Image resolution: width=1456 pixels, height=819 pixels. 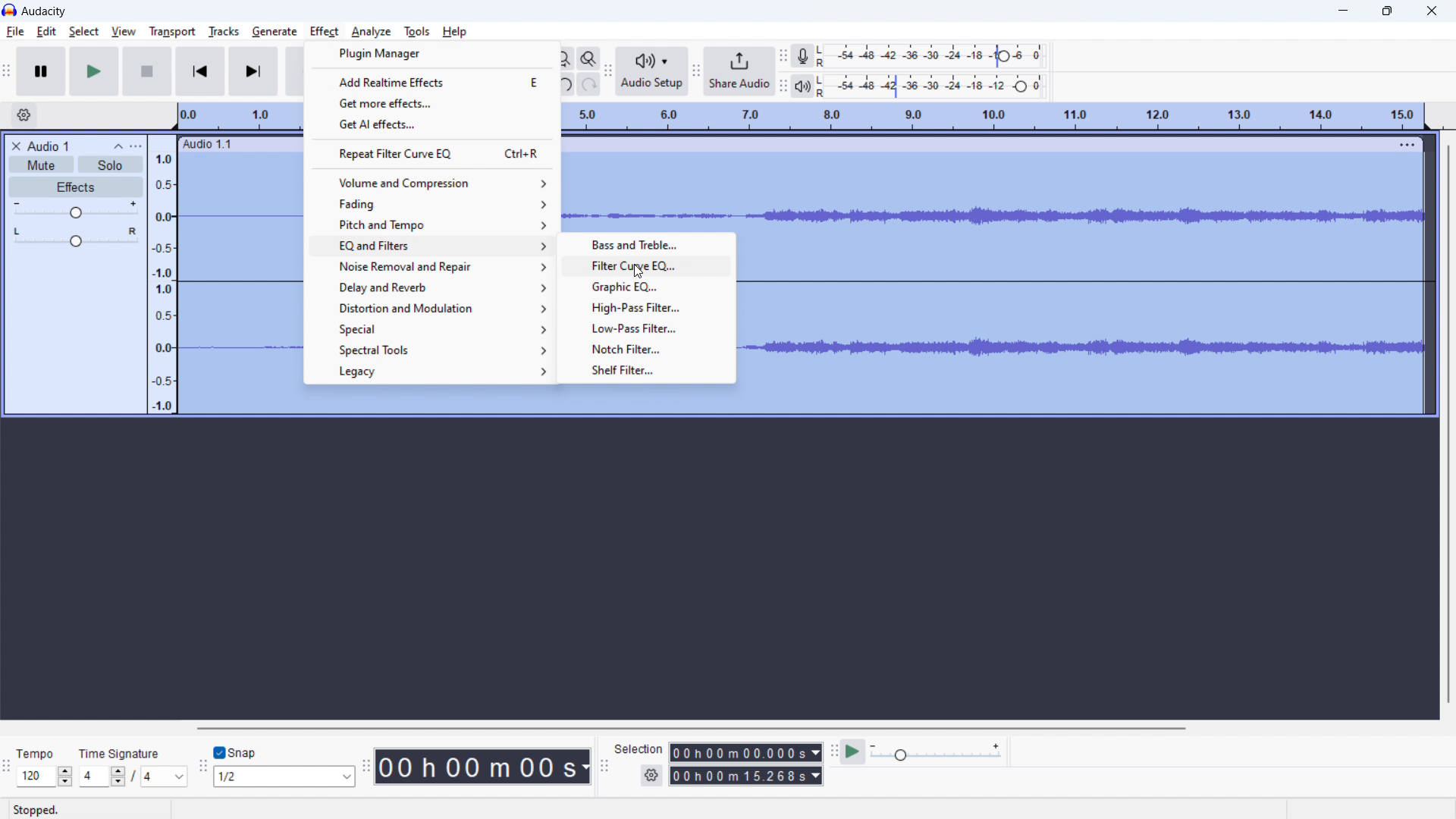 I want to click on selection toolbar, so click(x=603, y=765).